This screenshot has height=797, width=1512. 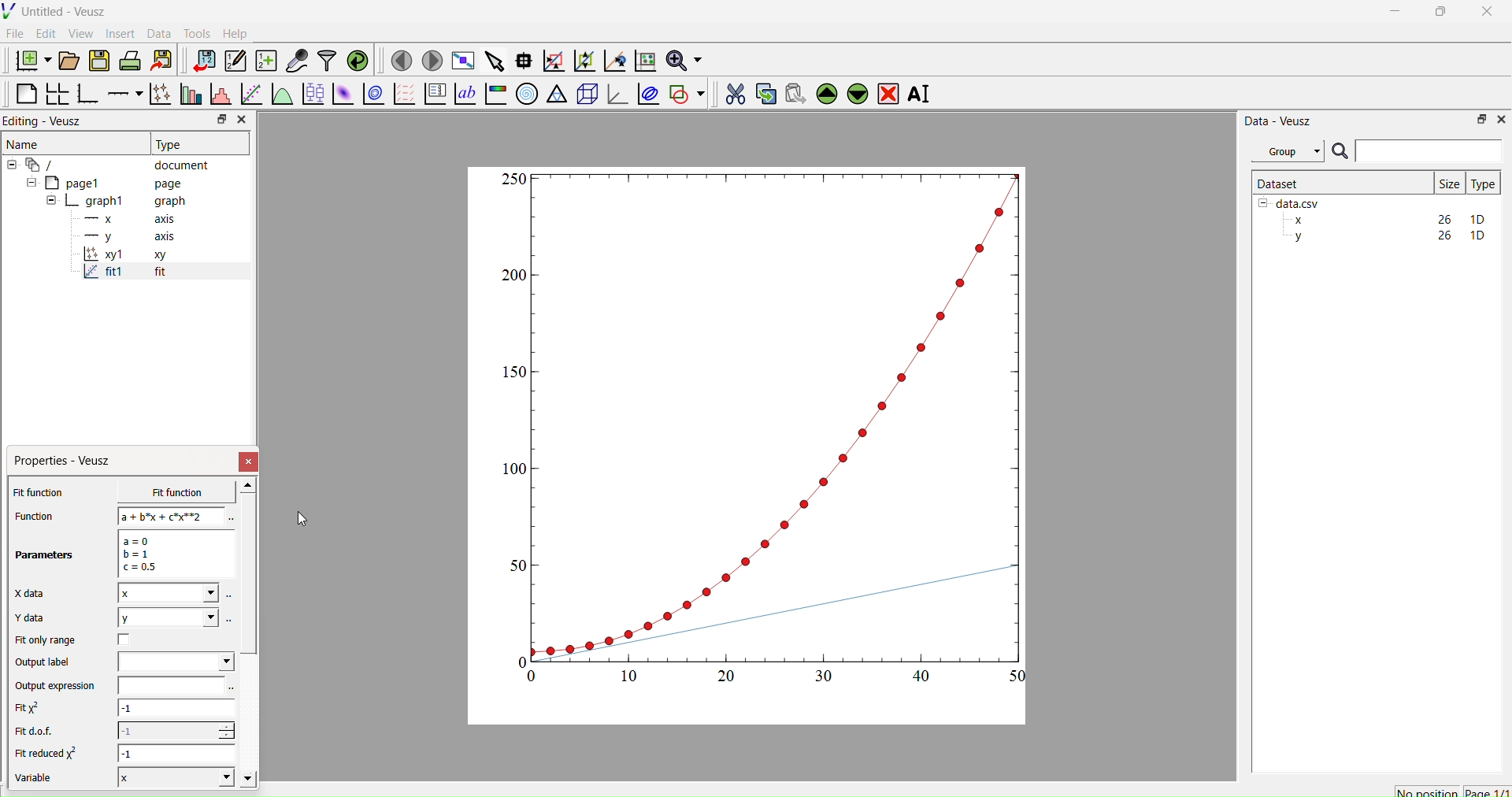 I want to click on Data, so click(x=158, y=34).